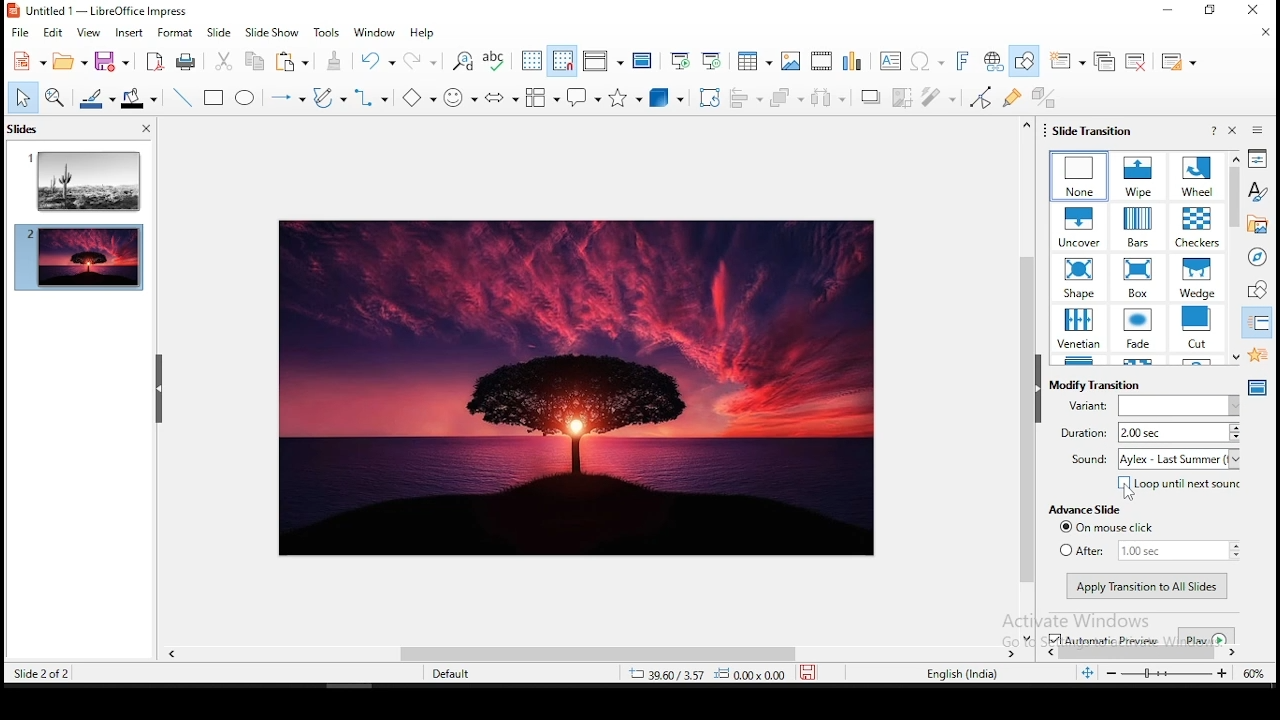 This screenshot has height=720, width=1280. I want to click on help, so click(1214, 131).